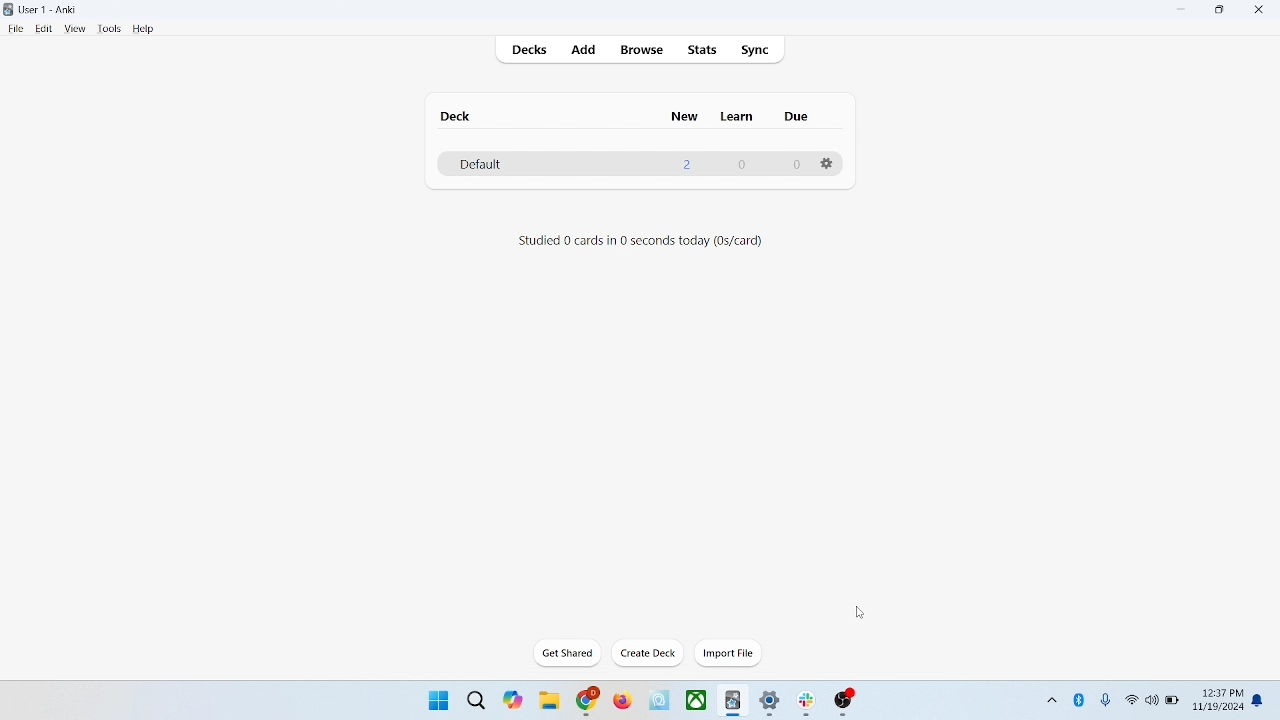 The image size is (1280, 720). I want to click on view, so click(76, 29).